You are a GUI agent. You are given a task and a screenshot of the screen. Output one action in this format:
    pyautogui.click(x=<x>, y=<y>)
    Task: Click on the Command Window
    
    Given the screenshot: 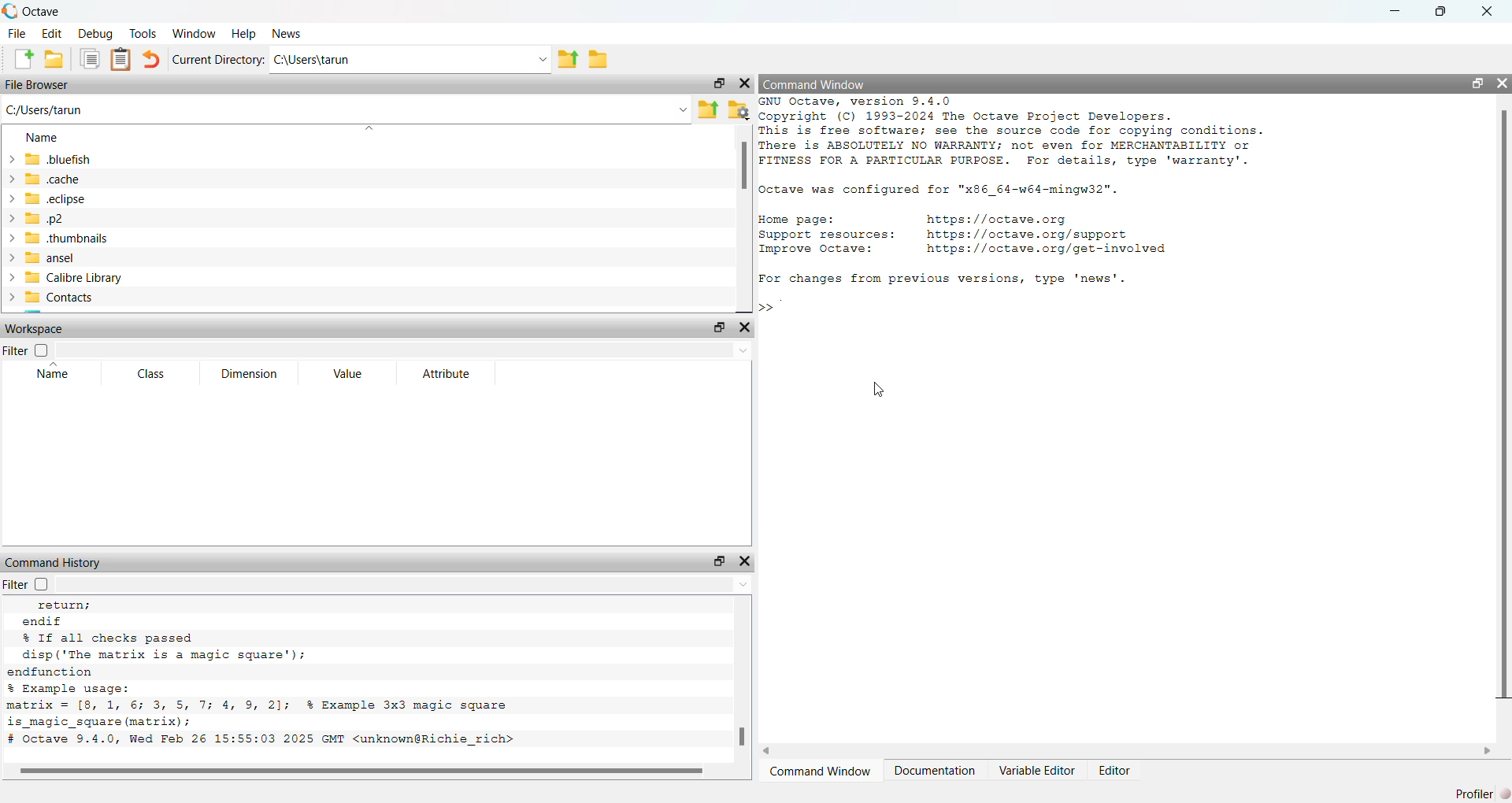 What is the action you would take?
    pyautogui.click(x=814, y=85)
    